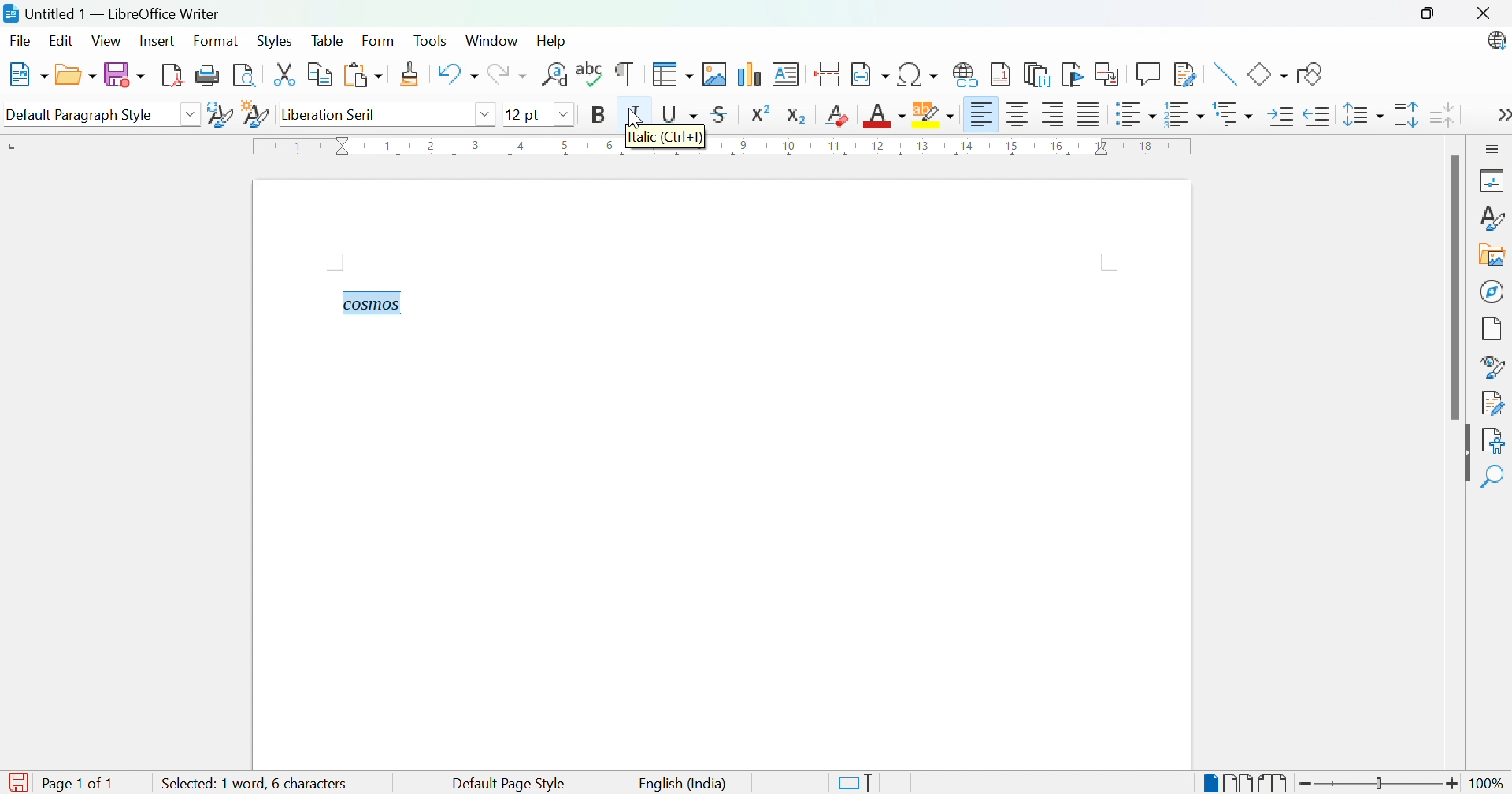 The height and width of the screenshot is (794, 1512). What do you see at coordinates (489, 117) in the screenshot?
I see `Drop down` at bounding box center [489, 117].